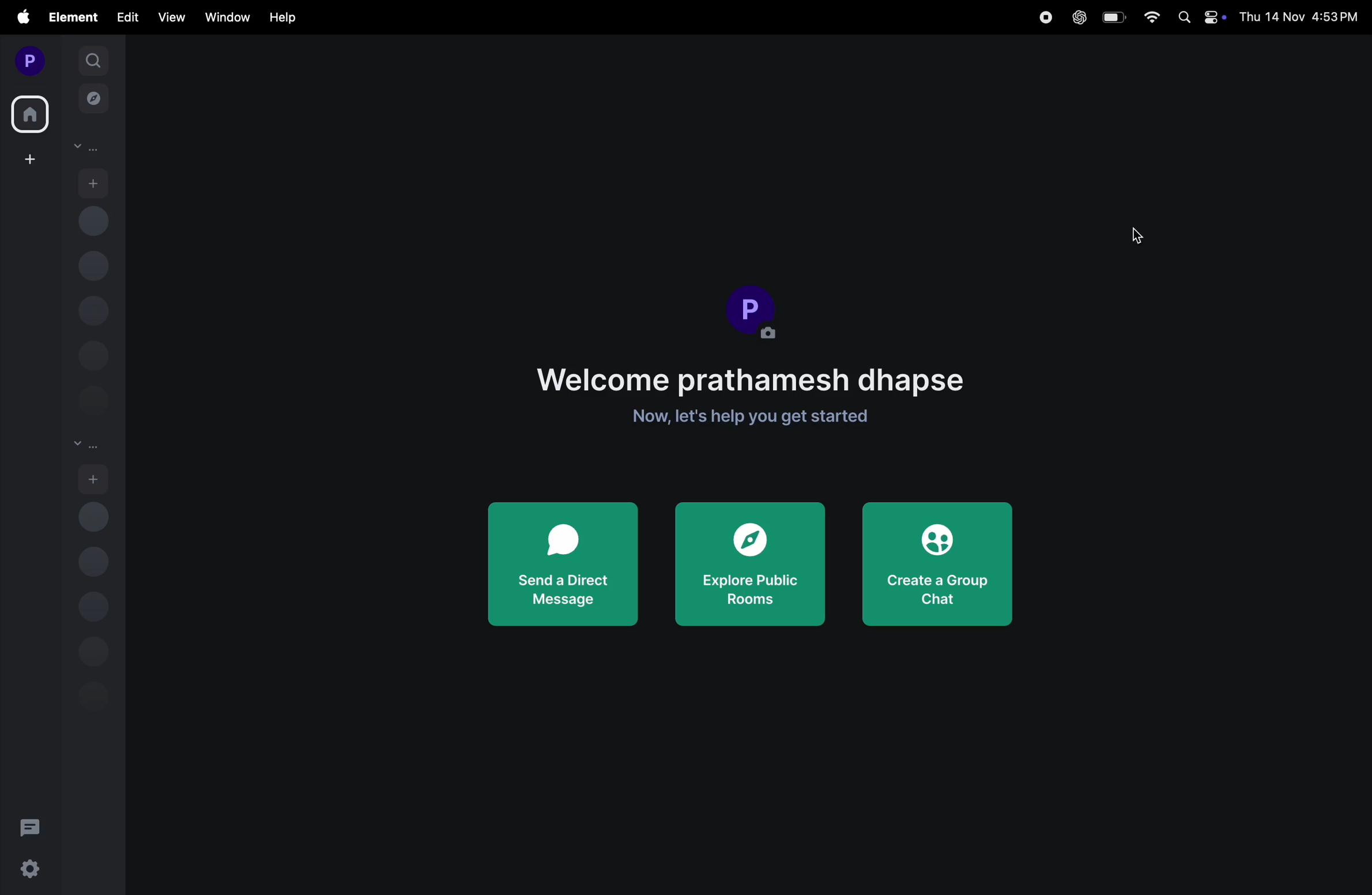 The height and width of the screenshot is (895, 1372). What do you see at coordinates (749, 389) in the screenshot?
I see `Welcome prathamesh dhapse
Now, let's help you get started` at bounding box center [749, 389].